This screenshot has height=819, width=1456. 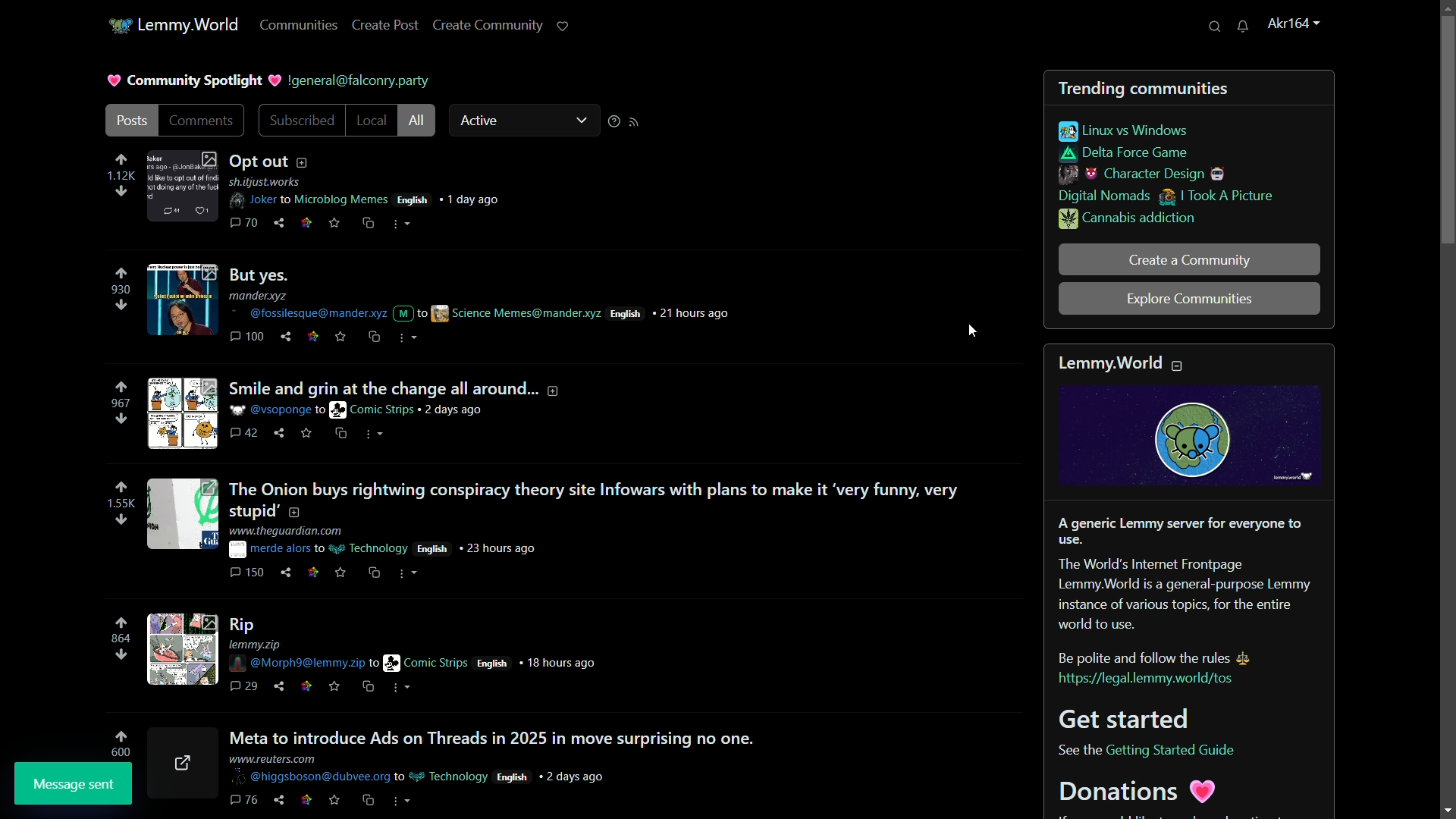 I want to click on image, so click(x=184, y=748).